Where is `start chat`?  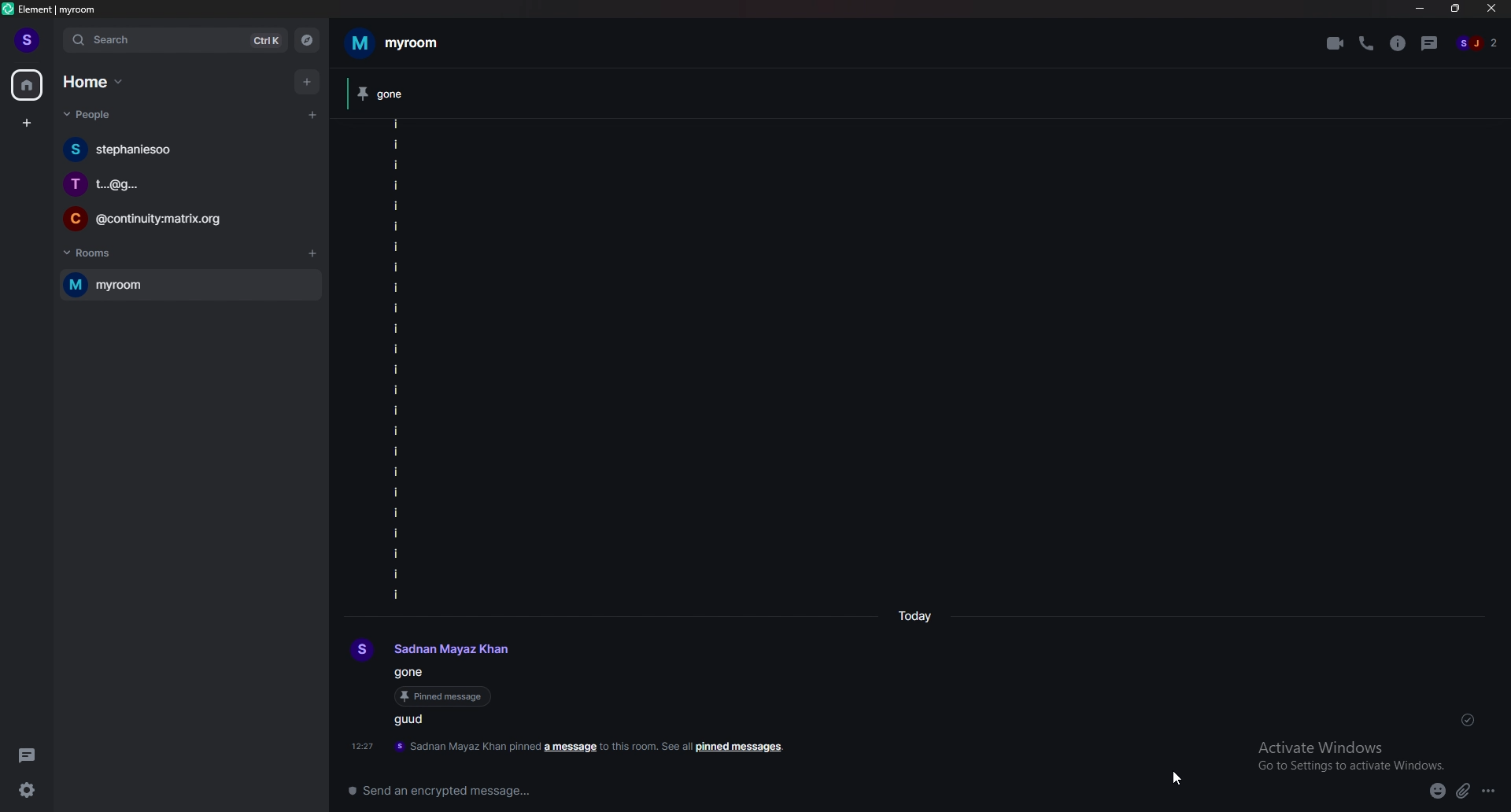 start chat is located at coordinates (313, 116).